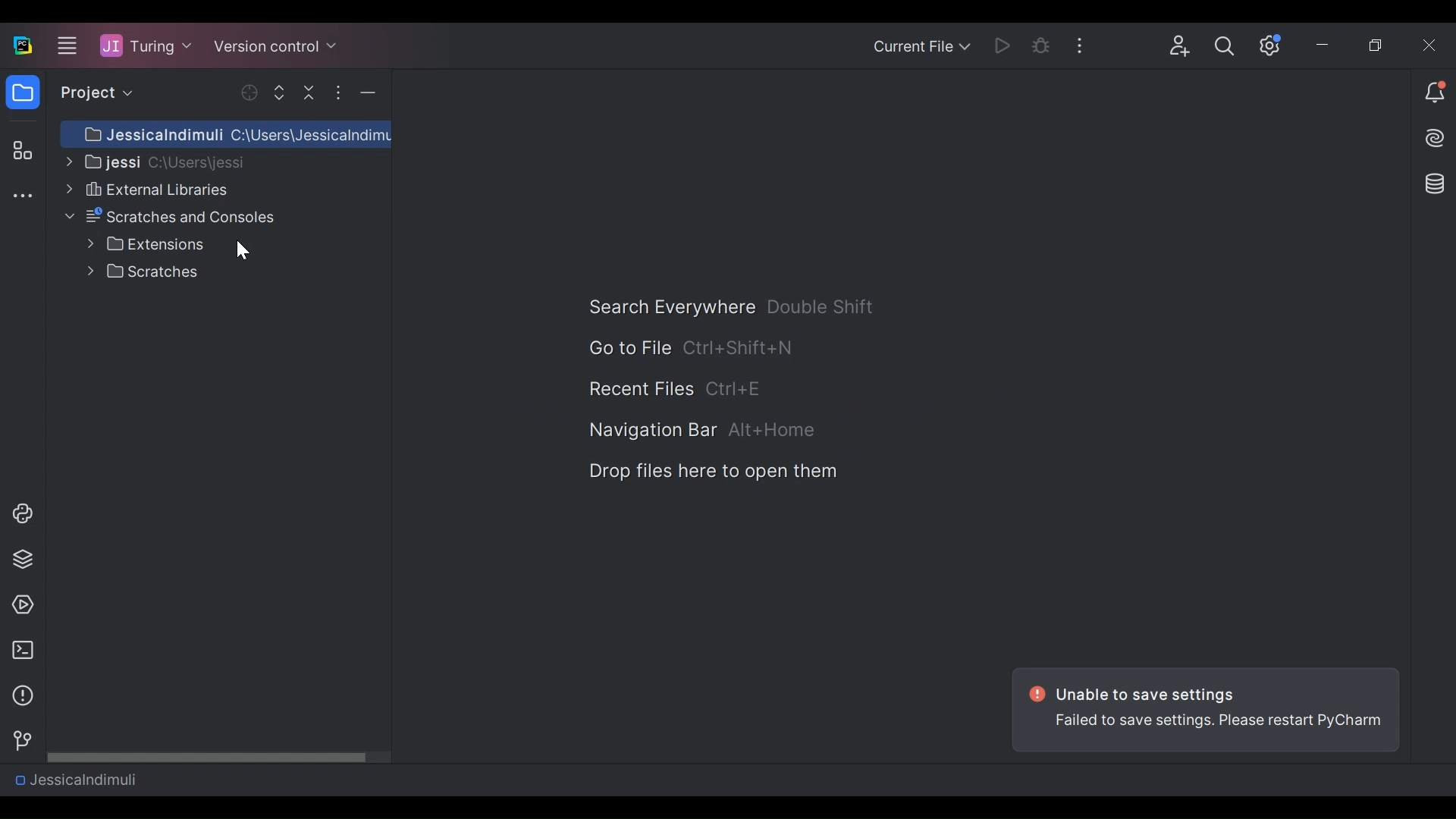 The image size is (1456, 819). I want to click on Go To files, so click(628, 347).